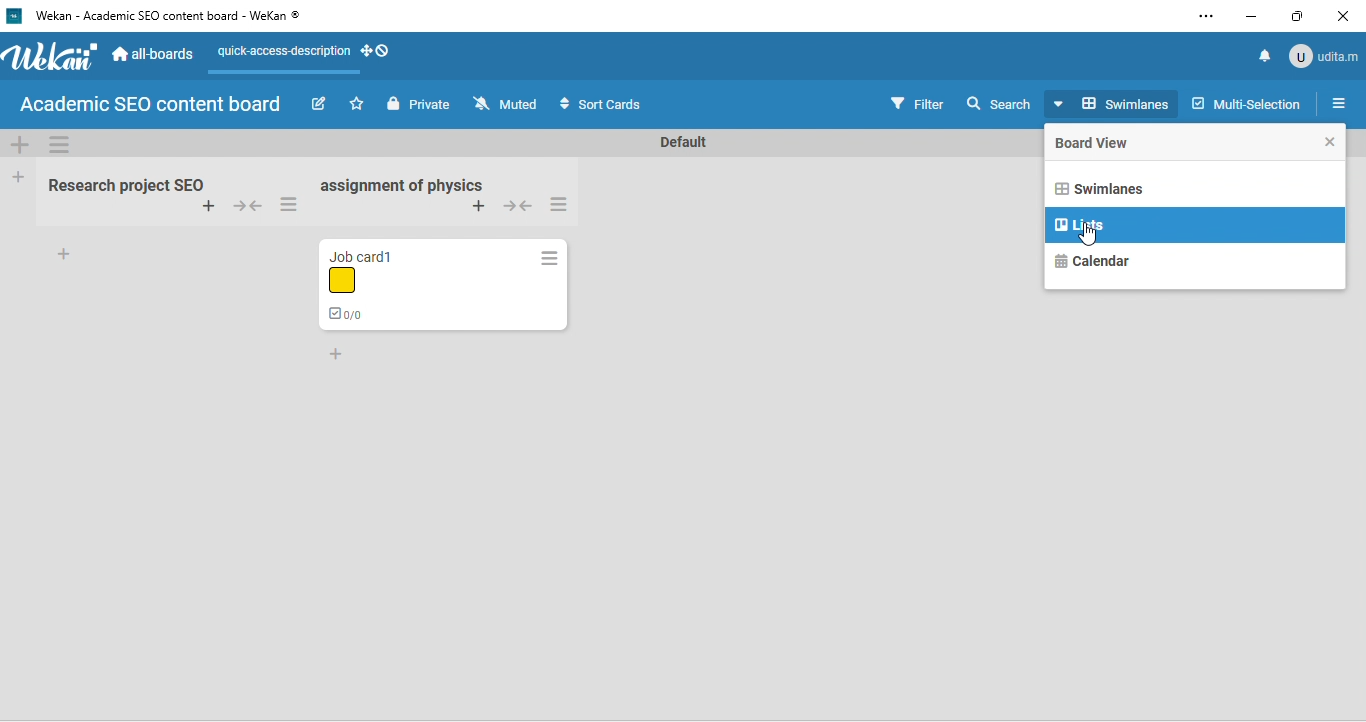 The image size is (1366, 722). Describe the element at coordinates (1346, 15) in the screenshot. I see `close` at that location.